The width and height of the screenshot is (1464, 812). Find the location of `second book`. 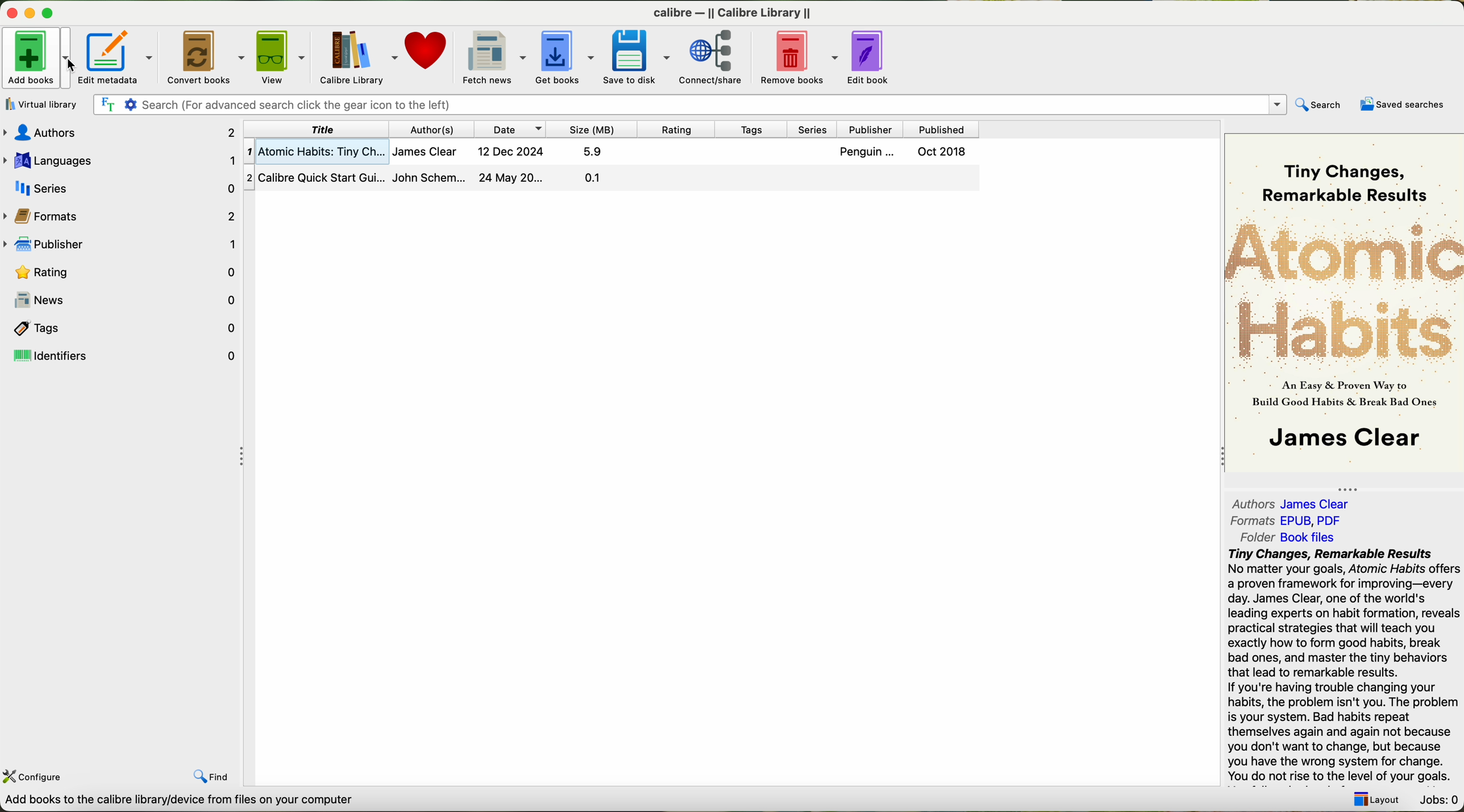

second book is located at coordinates (613, 180).